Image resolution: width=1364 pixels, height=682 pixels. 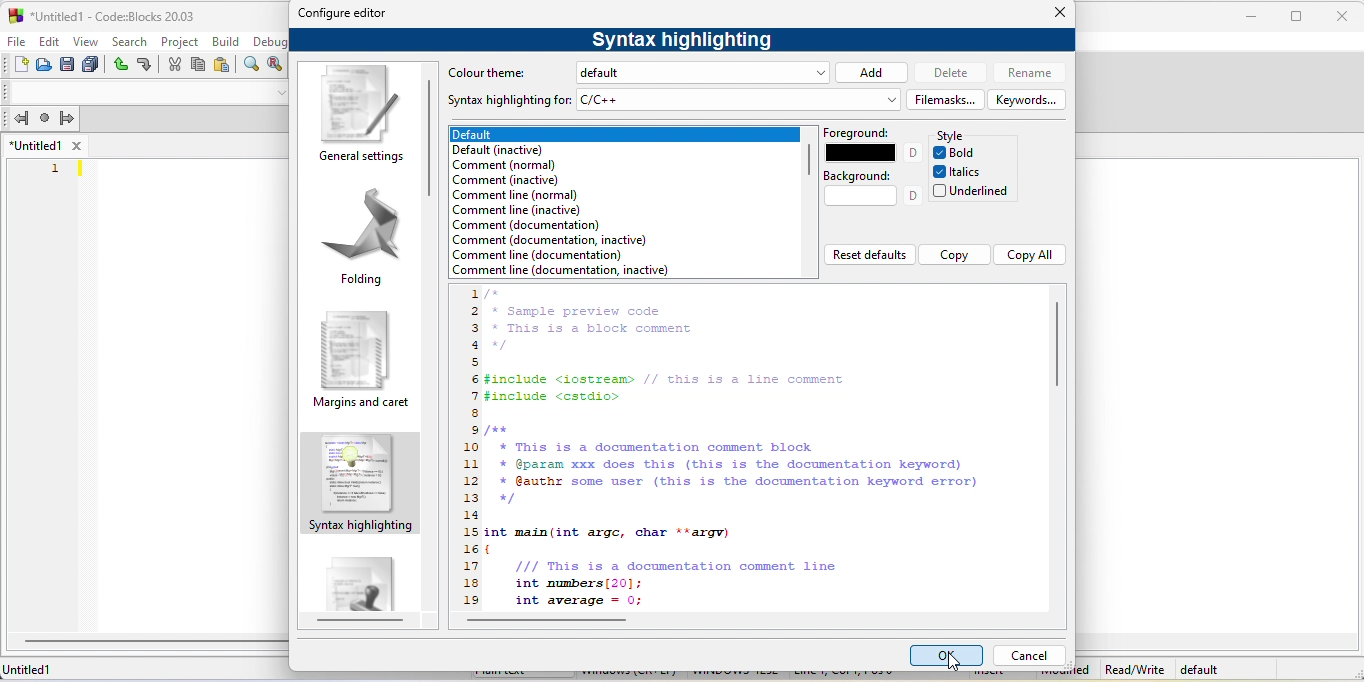 What do you see at coordinates (1028, 99) in the screenshot?
I see `keywords` at bounding box center [1028, 99].